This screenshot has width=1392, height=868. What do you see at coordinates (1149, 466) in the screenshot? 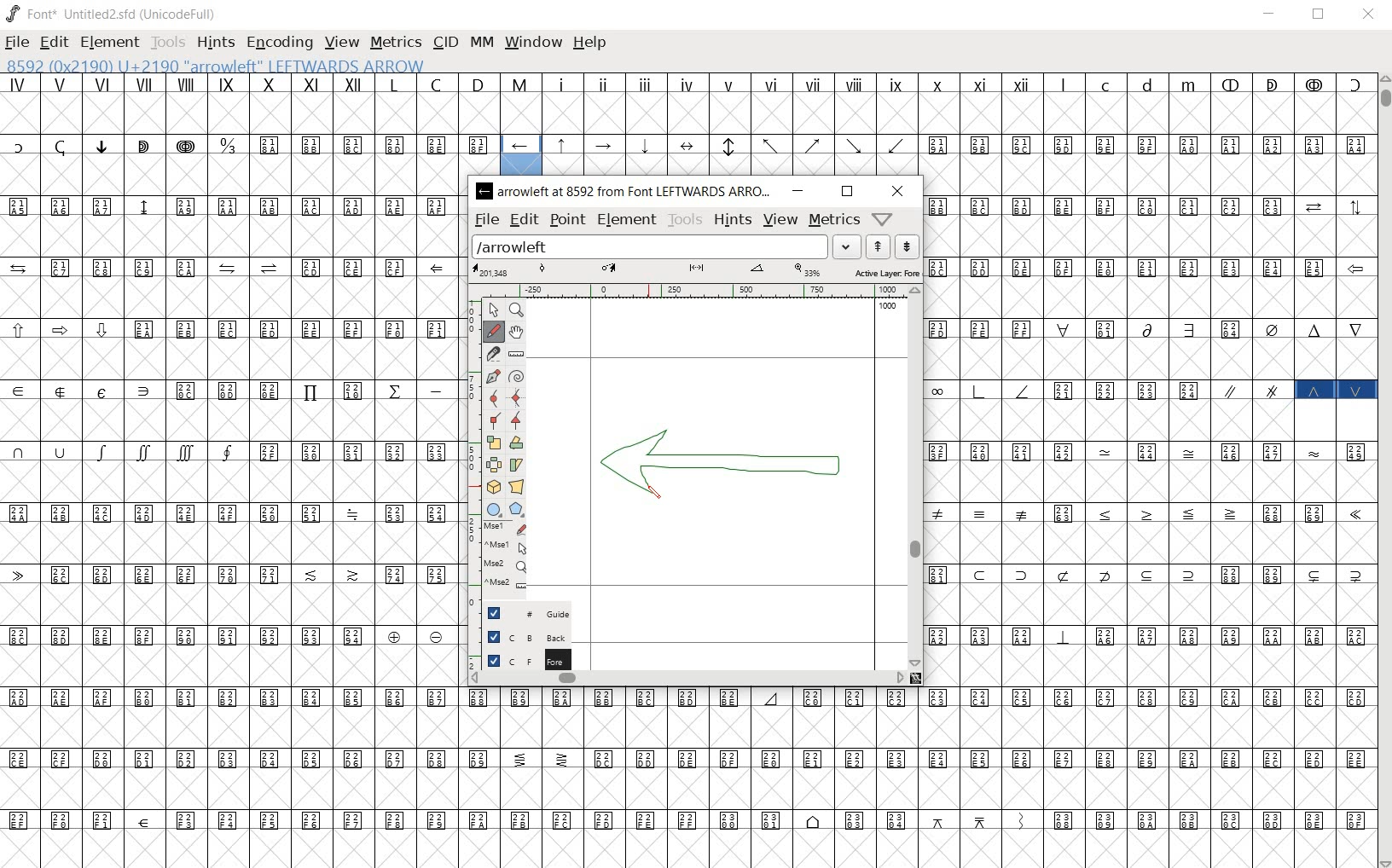
I see `glyphs characters` at bounding box center [1149, 466].